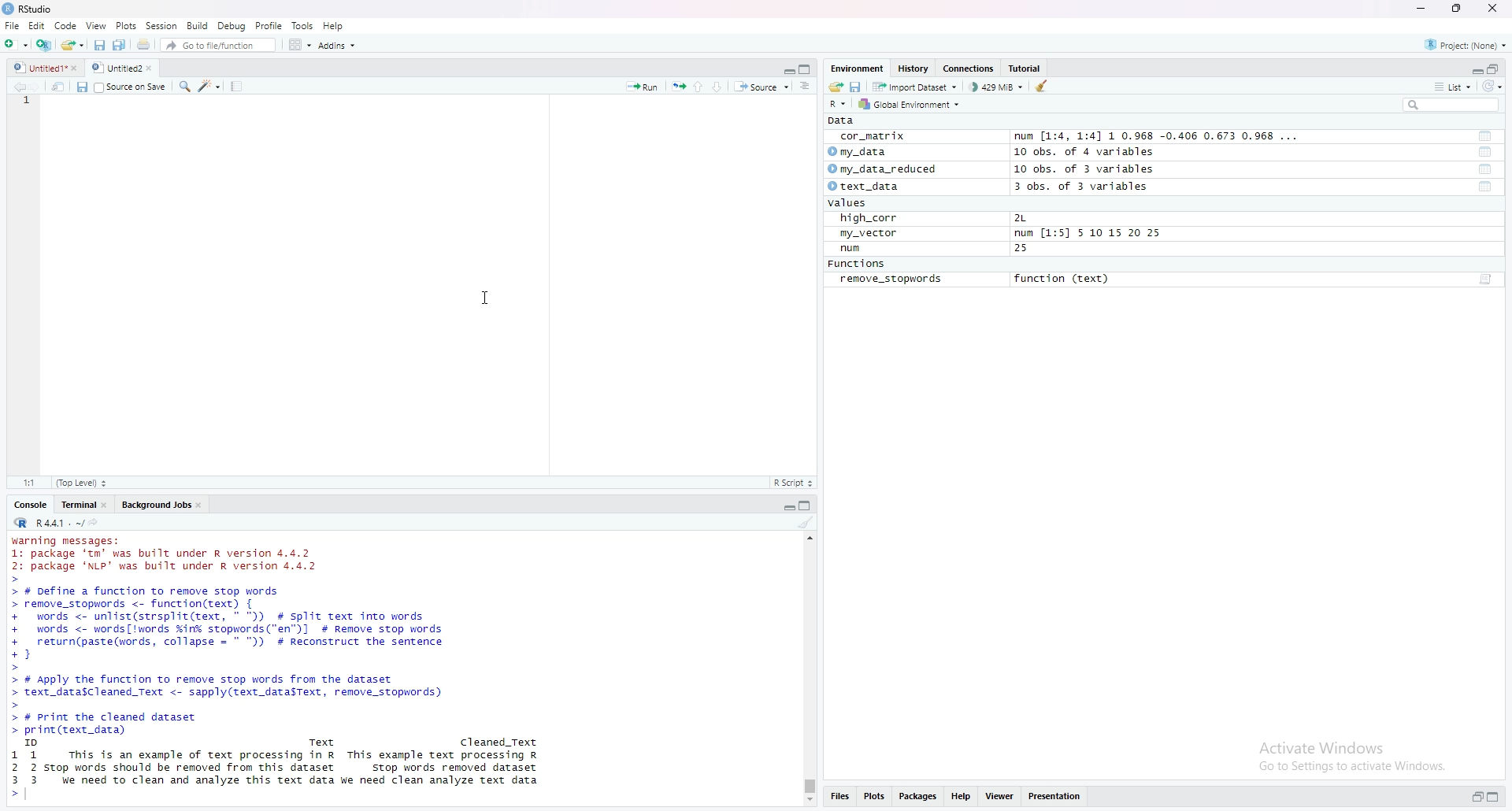 The width and height of the screenshot is (1512, 811). Describe the element at coordinates (209, 45) in the screenshot. I see `Go to file/function` at that location.